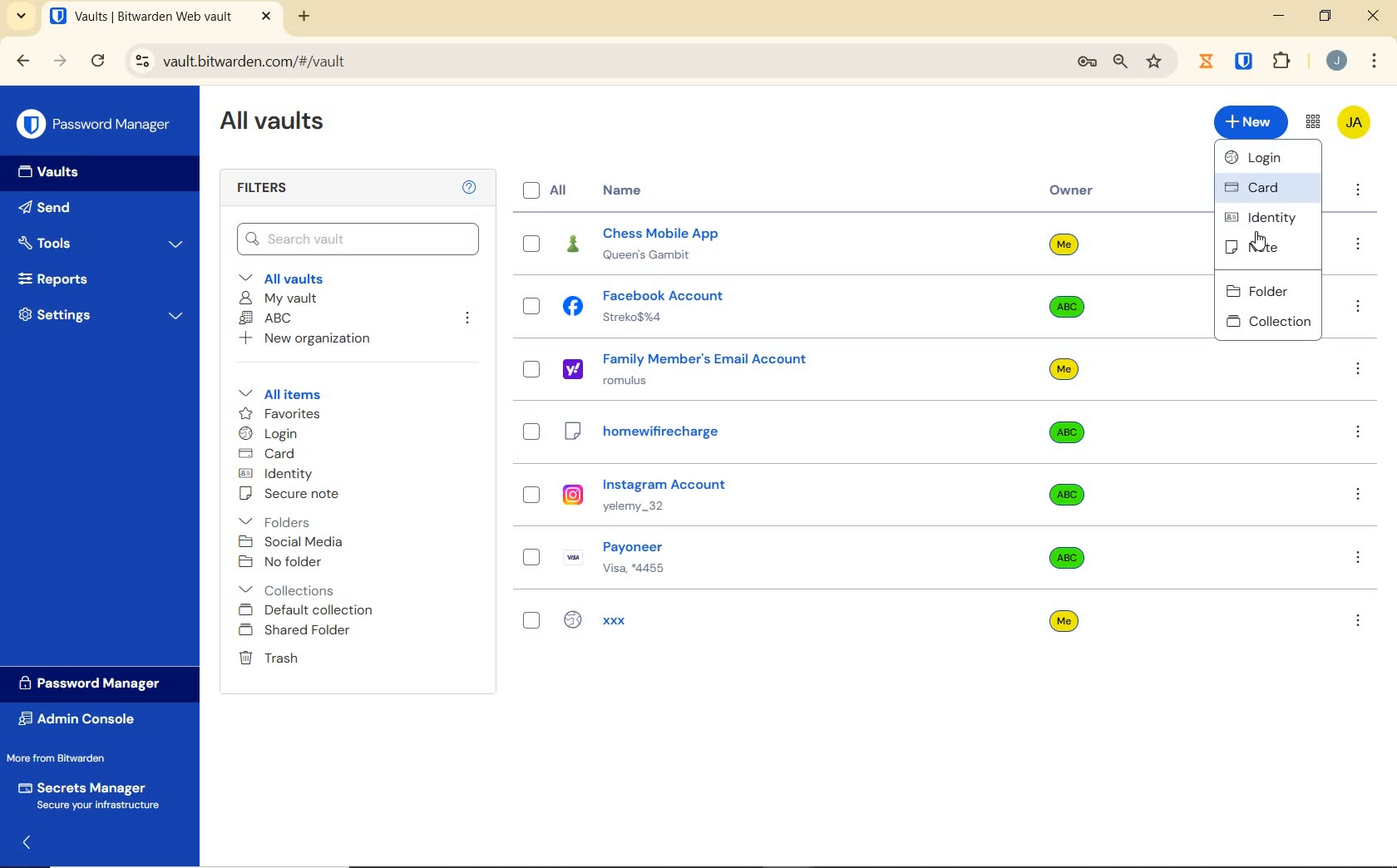 This screenshot has height=868, width=1397. Describe the element at coordinates (1360, 556) in the screenshot. I see `more options` at that location.